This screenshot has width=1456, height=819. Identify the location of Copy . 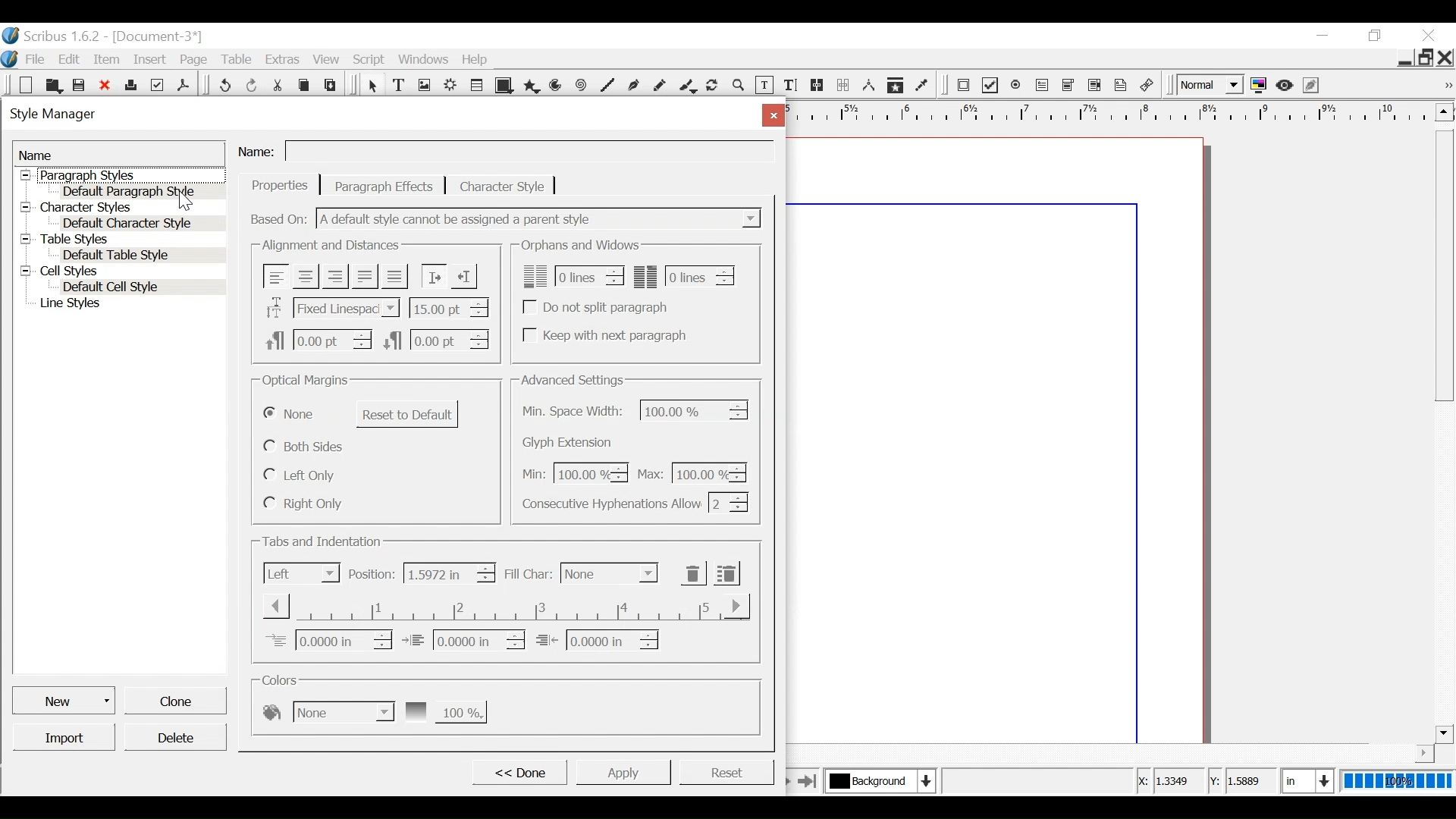
(306, 83).